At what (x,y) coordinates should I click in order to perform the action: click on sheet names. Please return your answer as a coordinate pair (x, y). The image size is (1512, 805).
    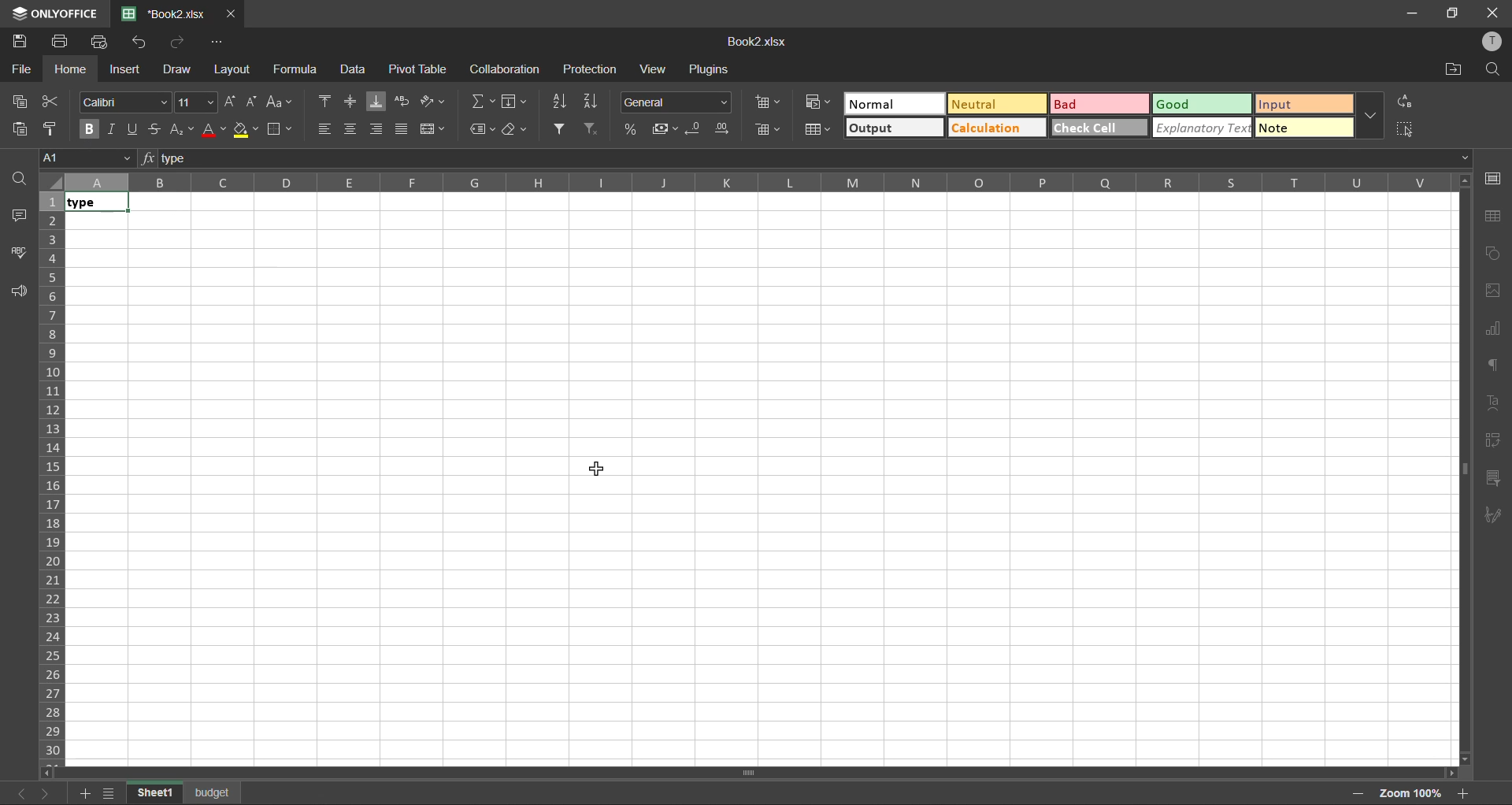
    Looking at the image, I should click on (184, 794).